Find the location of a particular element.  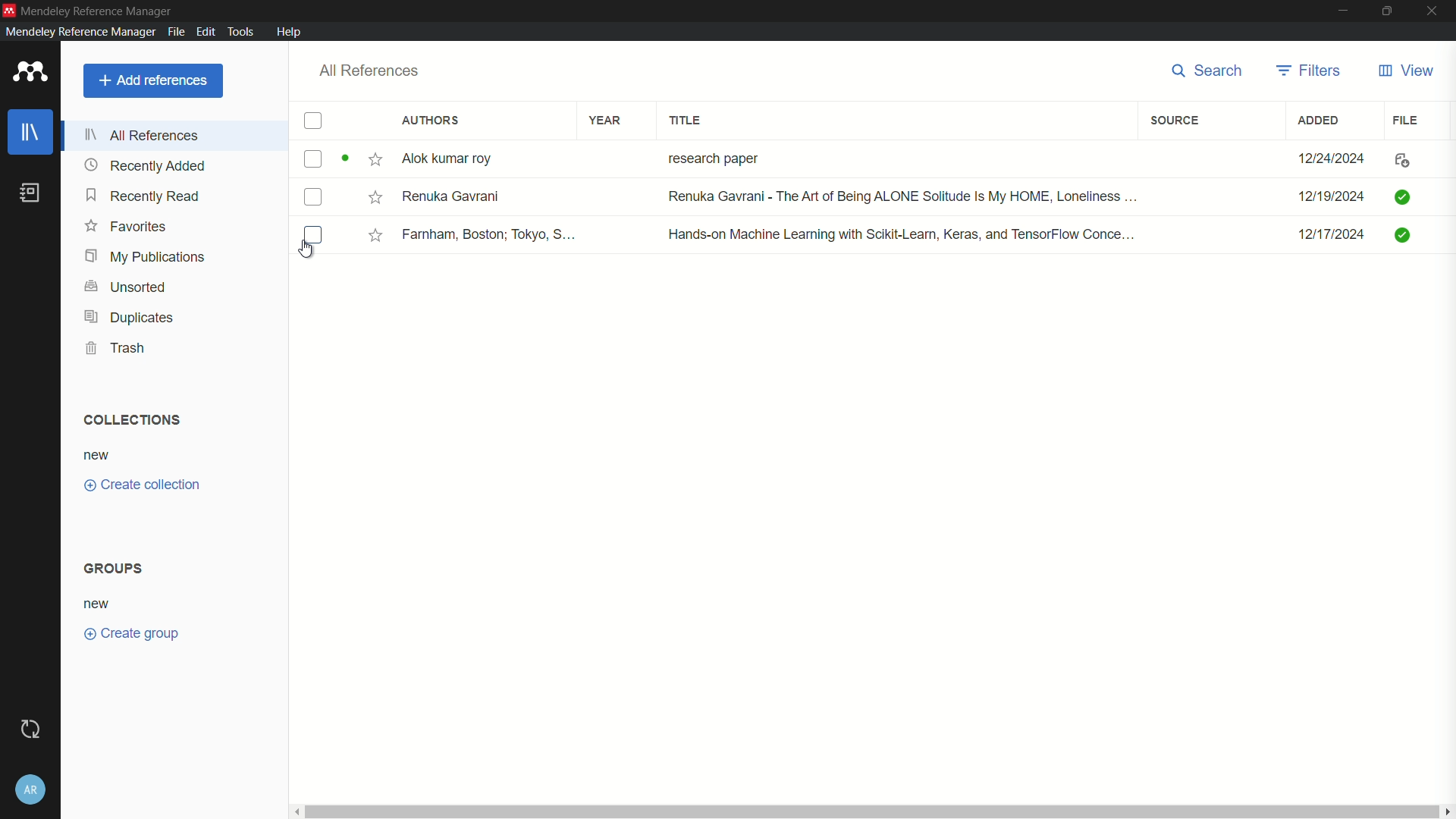

duplicates is located at coordinates (127, 317).